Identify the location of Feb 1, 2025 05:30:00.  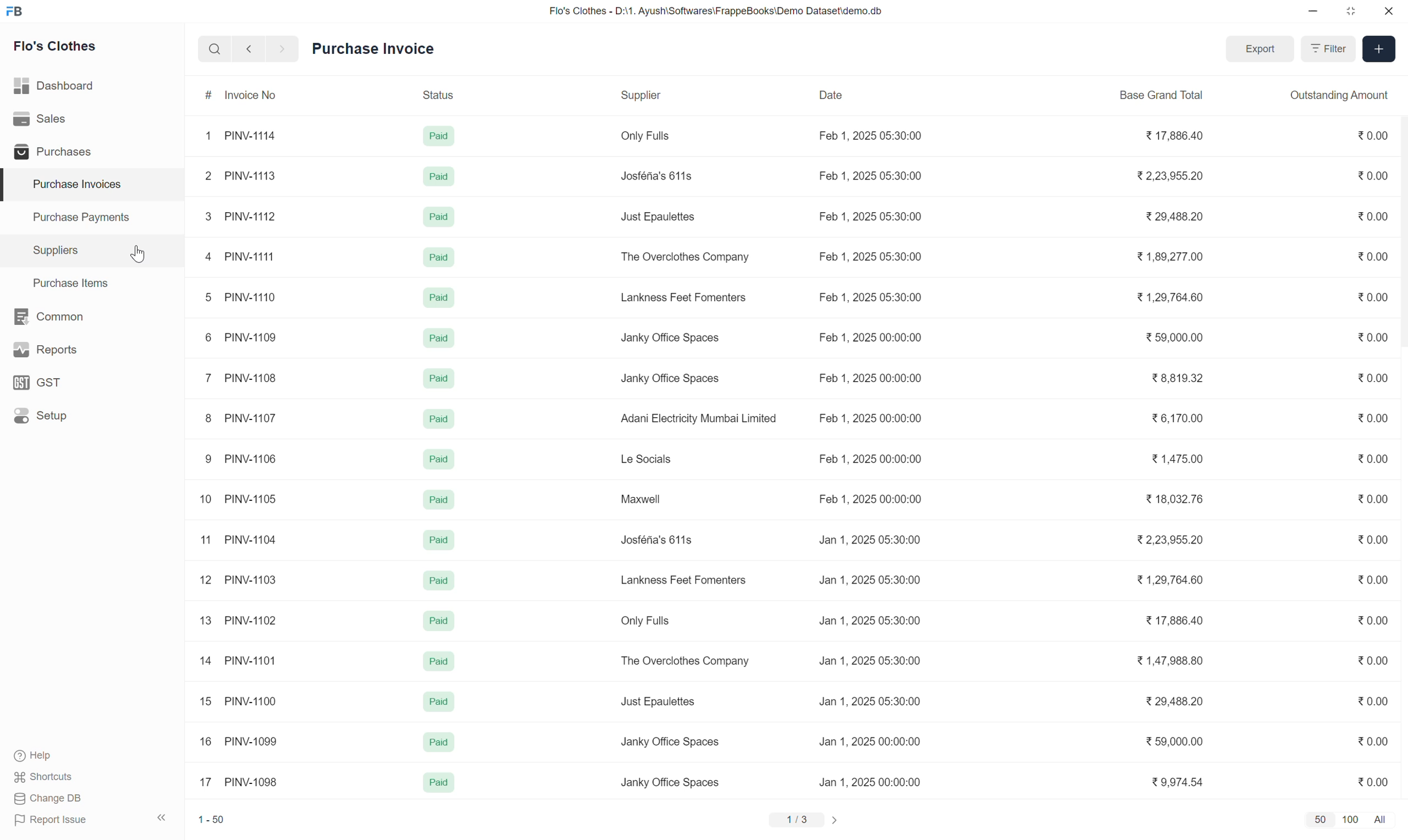
(872, 298).